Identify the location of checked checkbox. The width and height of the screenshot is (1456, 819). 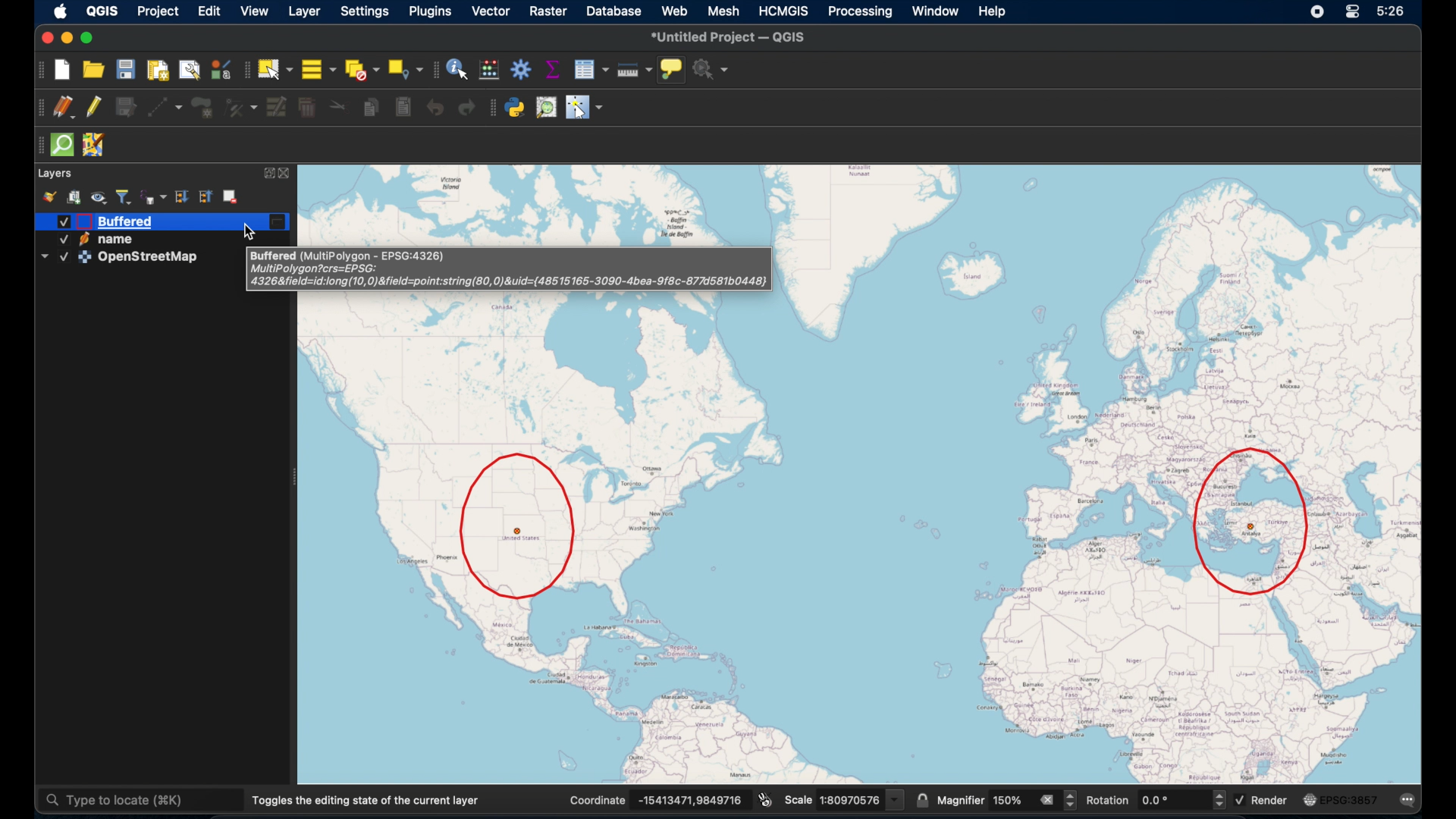
(1239, 798).